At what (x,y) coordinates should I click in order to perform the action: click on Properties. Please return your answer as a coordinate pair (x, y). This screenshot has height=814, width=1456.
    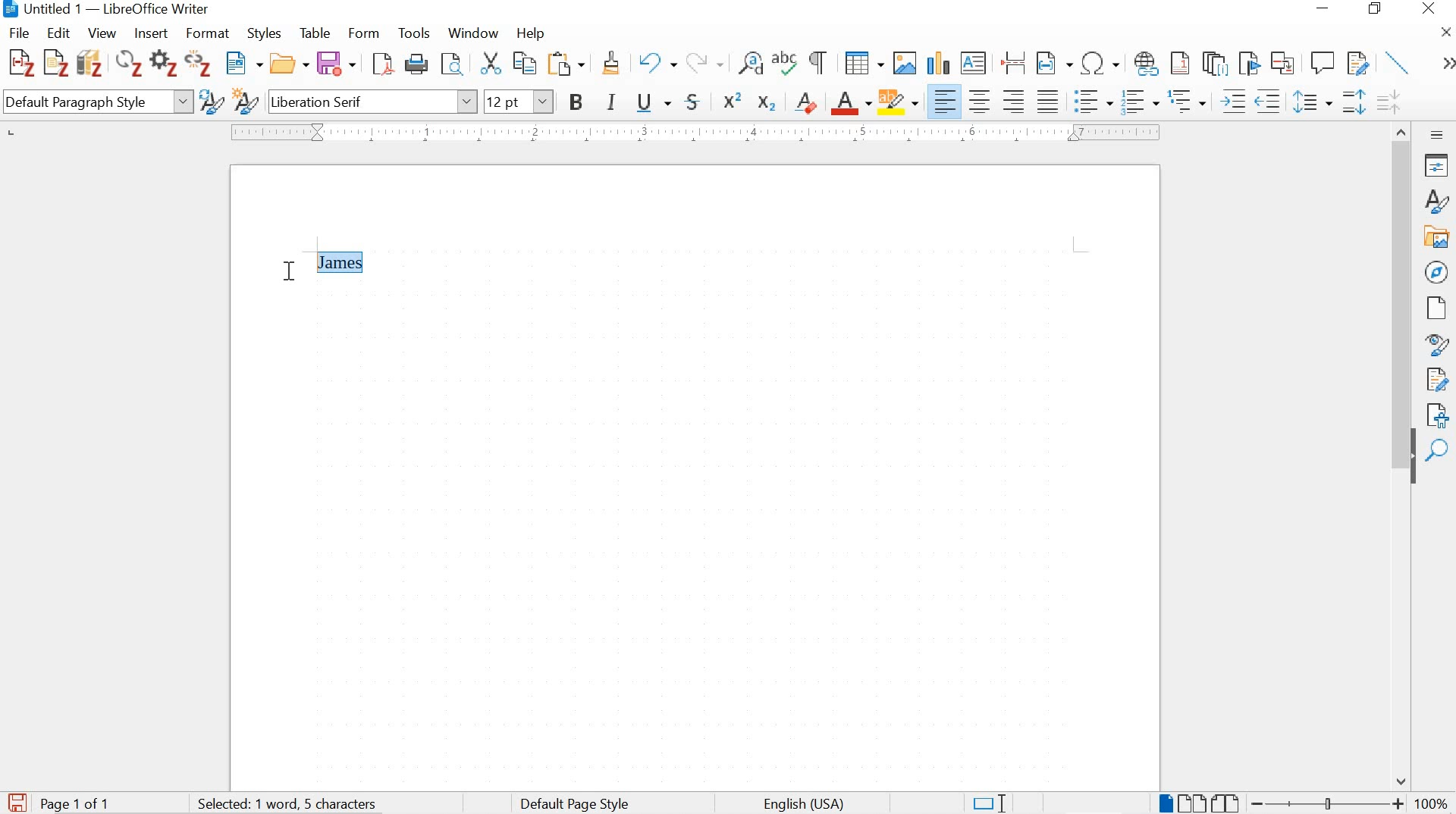
    Looking at the image, I should click on (1439, 165).